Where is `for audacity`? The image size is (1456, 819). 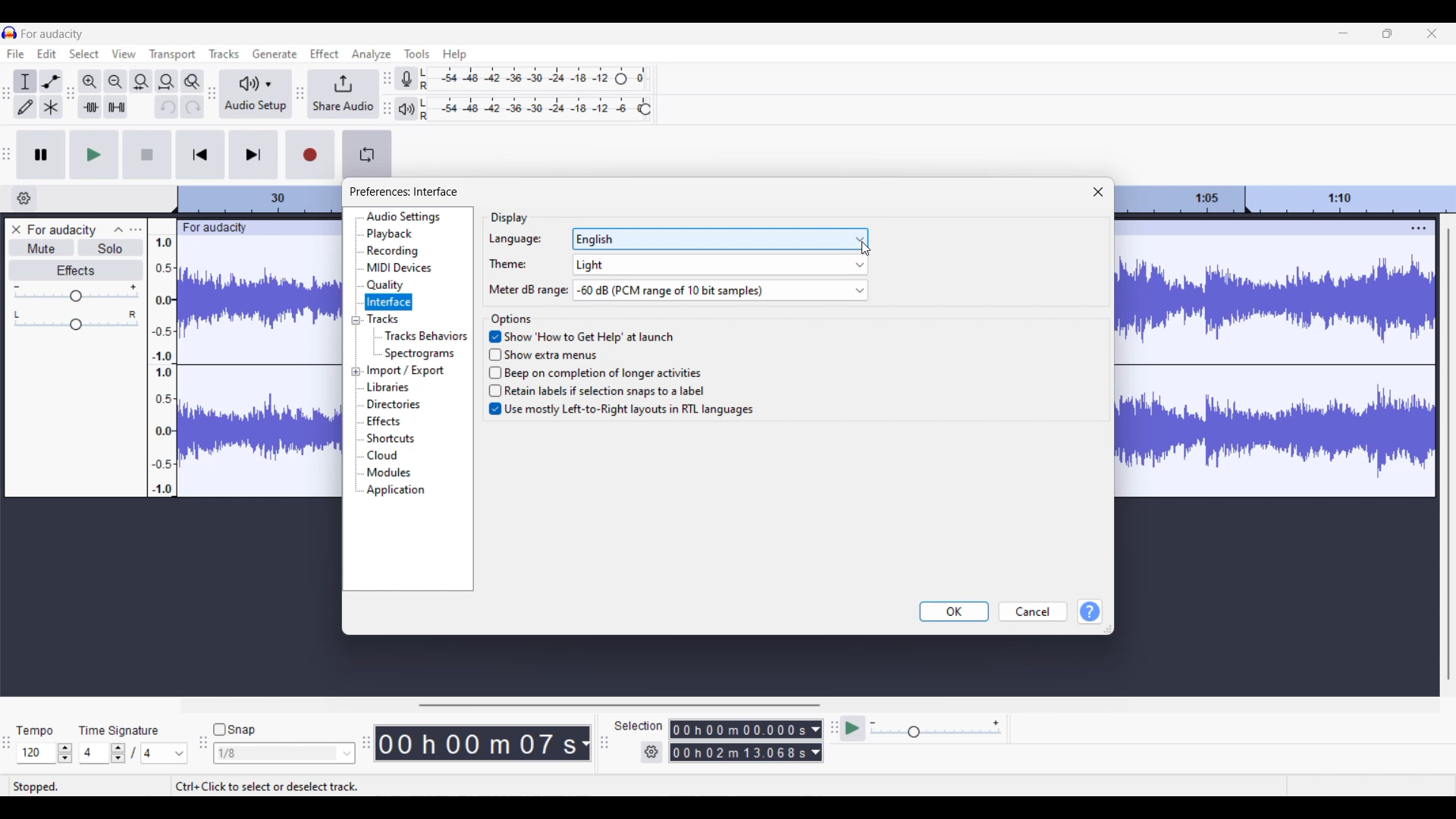
for audacity is located at coordinates (212, 227).